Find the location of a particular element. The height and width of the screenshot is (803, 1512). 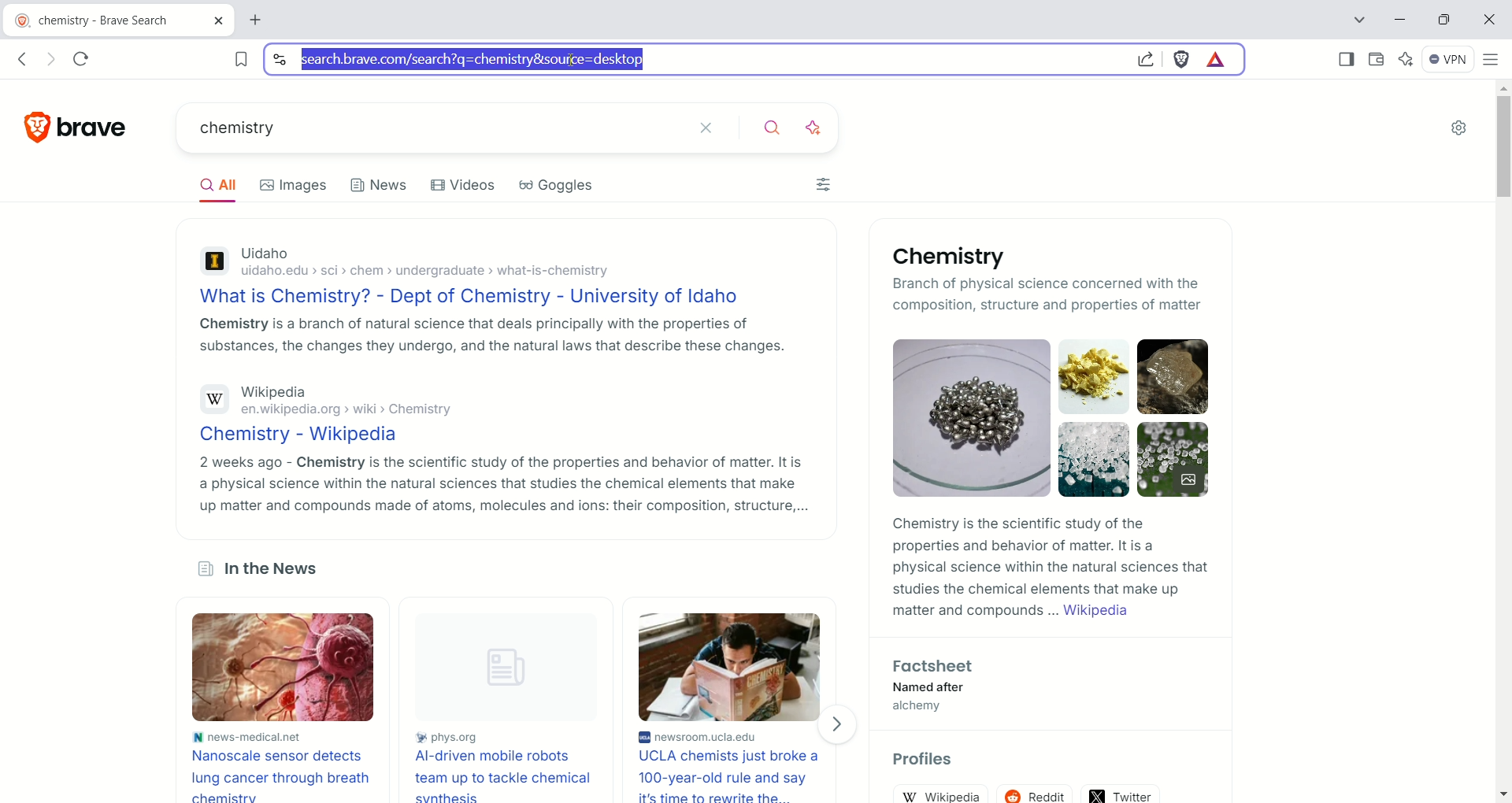

Chemistry - Wikipedia is located at coordinates (305, 435).